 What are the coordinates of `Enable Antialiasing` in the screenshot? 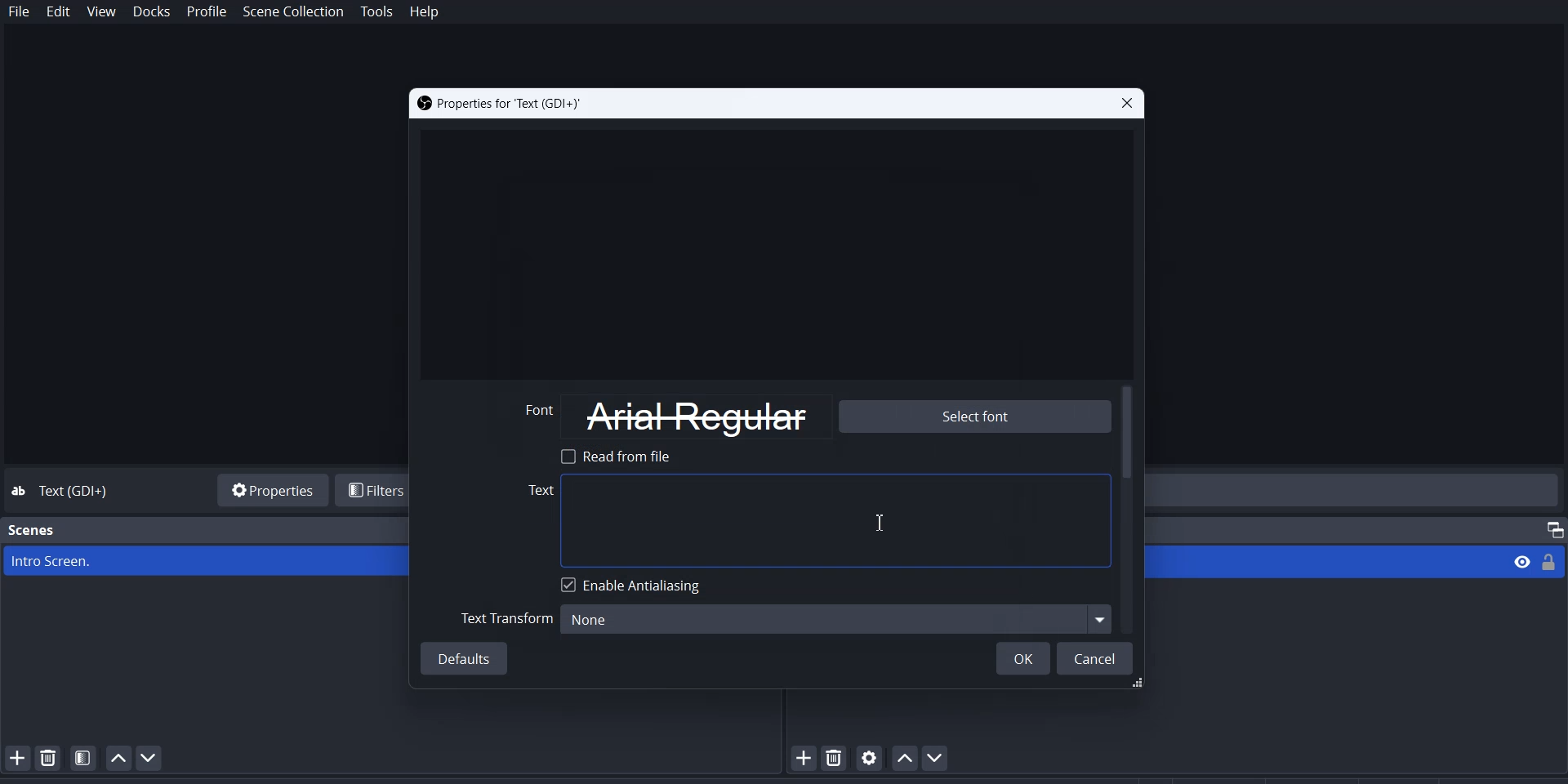 It's located at (635, 585).